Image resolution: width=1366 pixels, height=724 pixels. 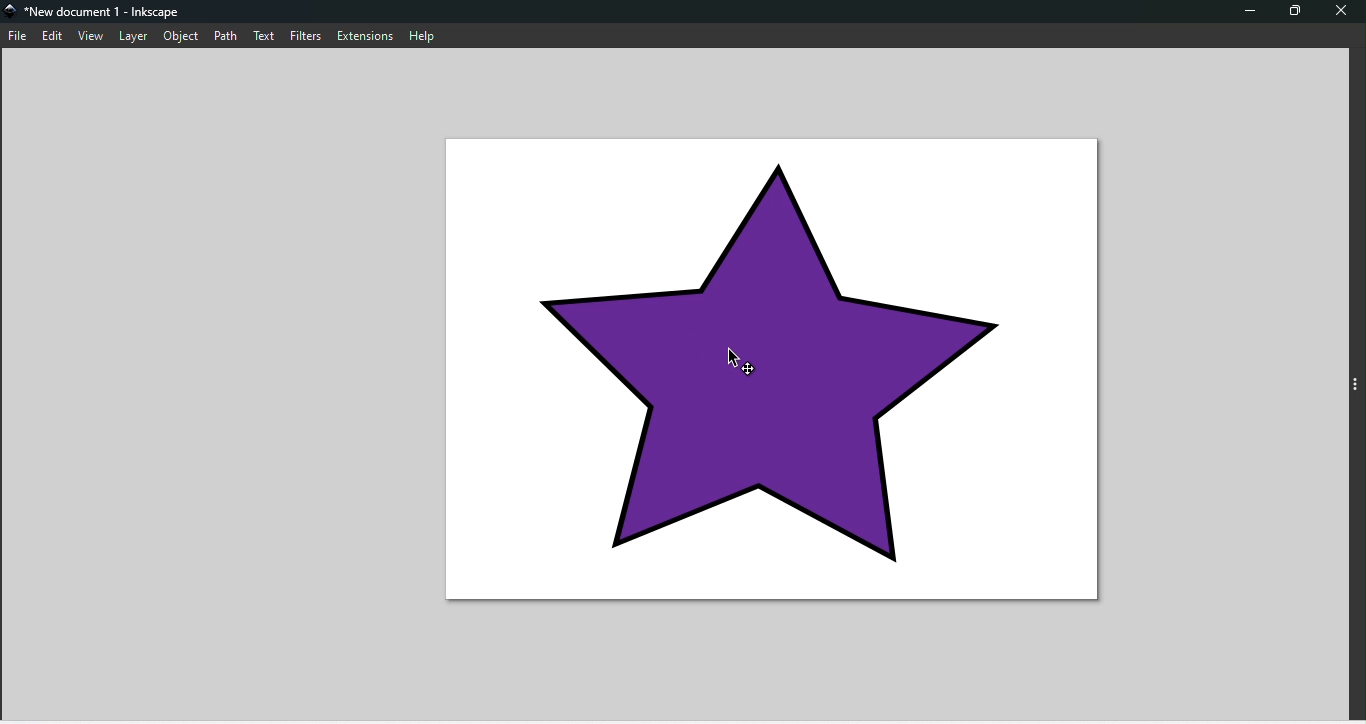 I want to click on Edit, so click(x=52, y=34).